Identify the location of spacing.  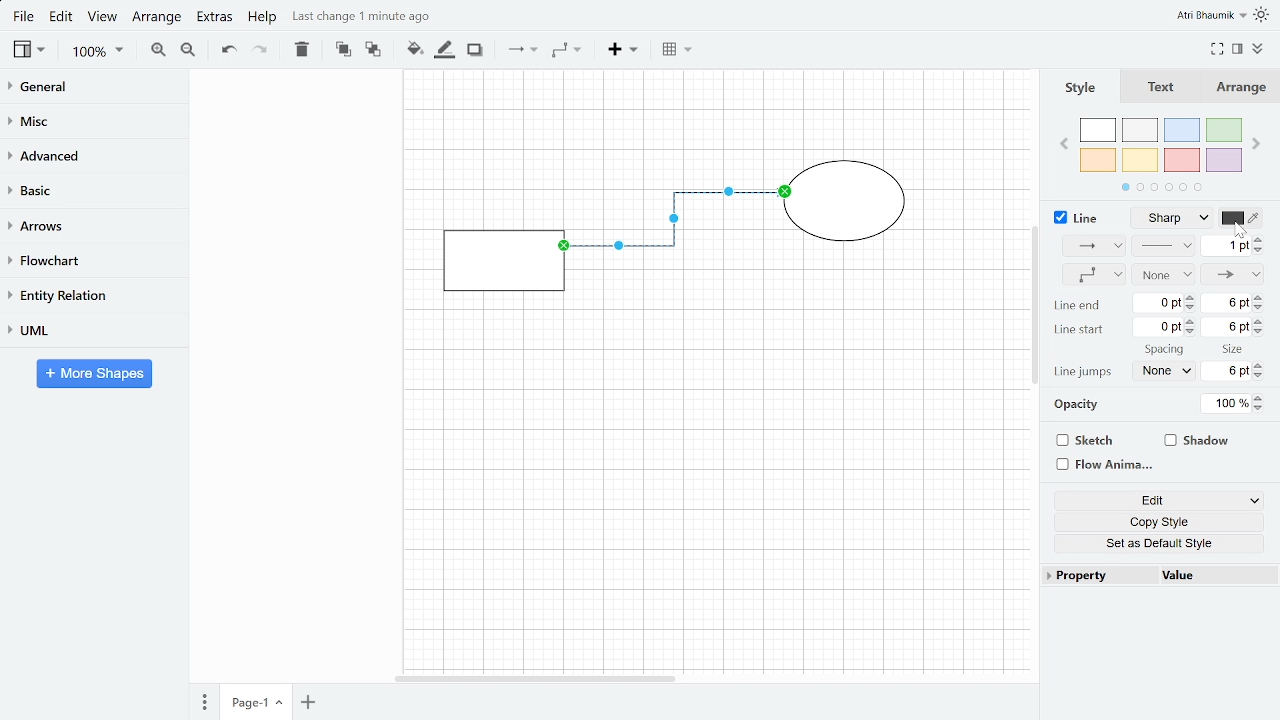
(1165, 349).